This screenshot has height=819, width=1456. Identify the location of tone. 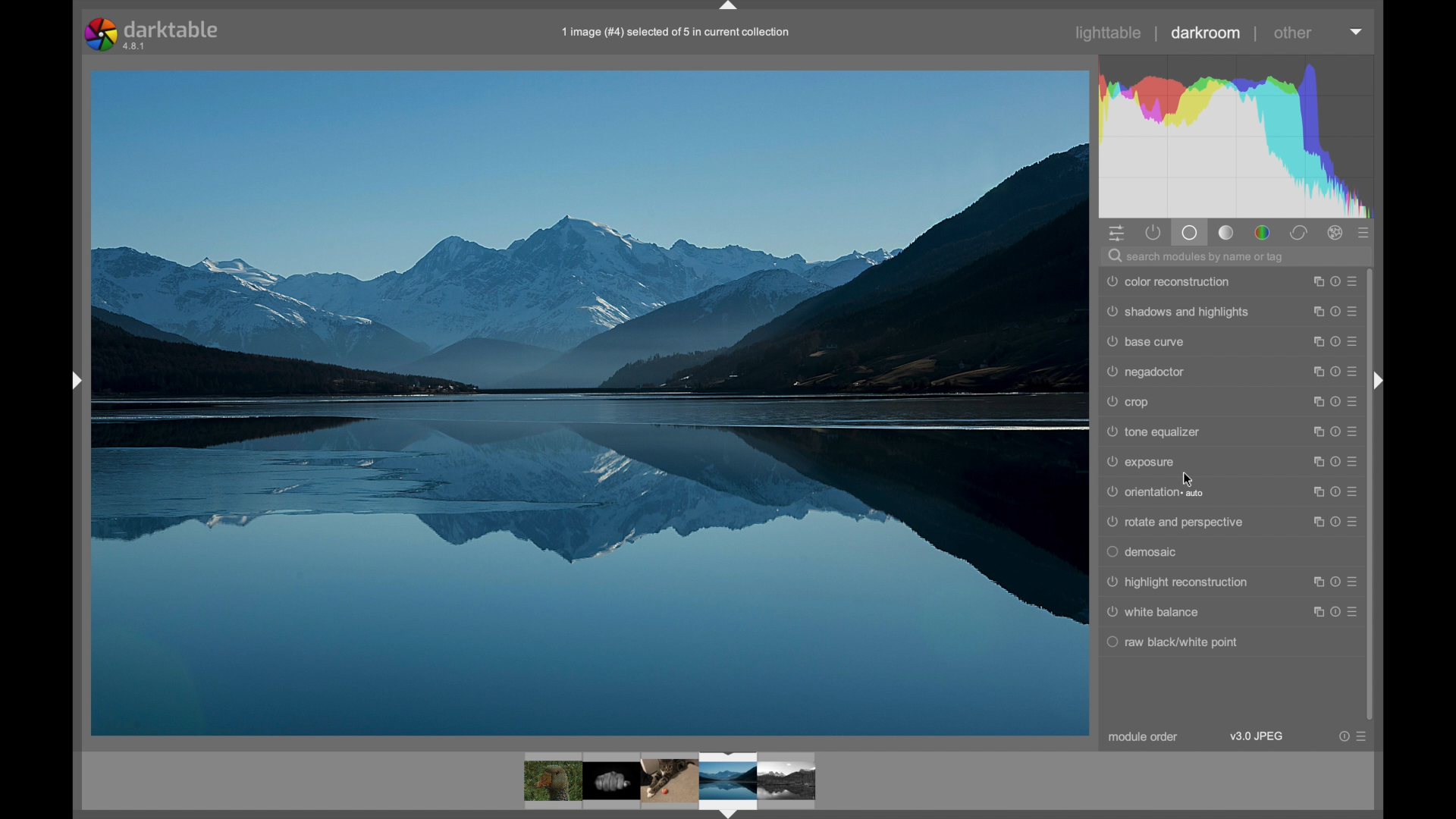
(1227, 233).